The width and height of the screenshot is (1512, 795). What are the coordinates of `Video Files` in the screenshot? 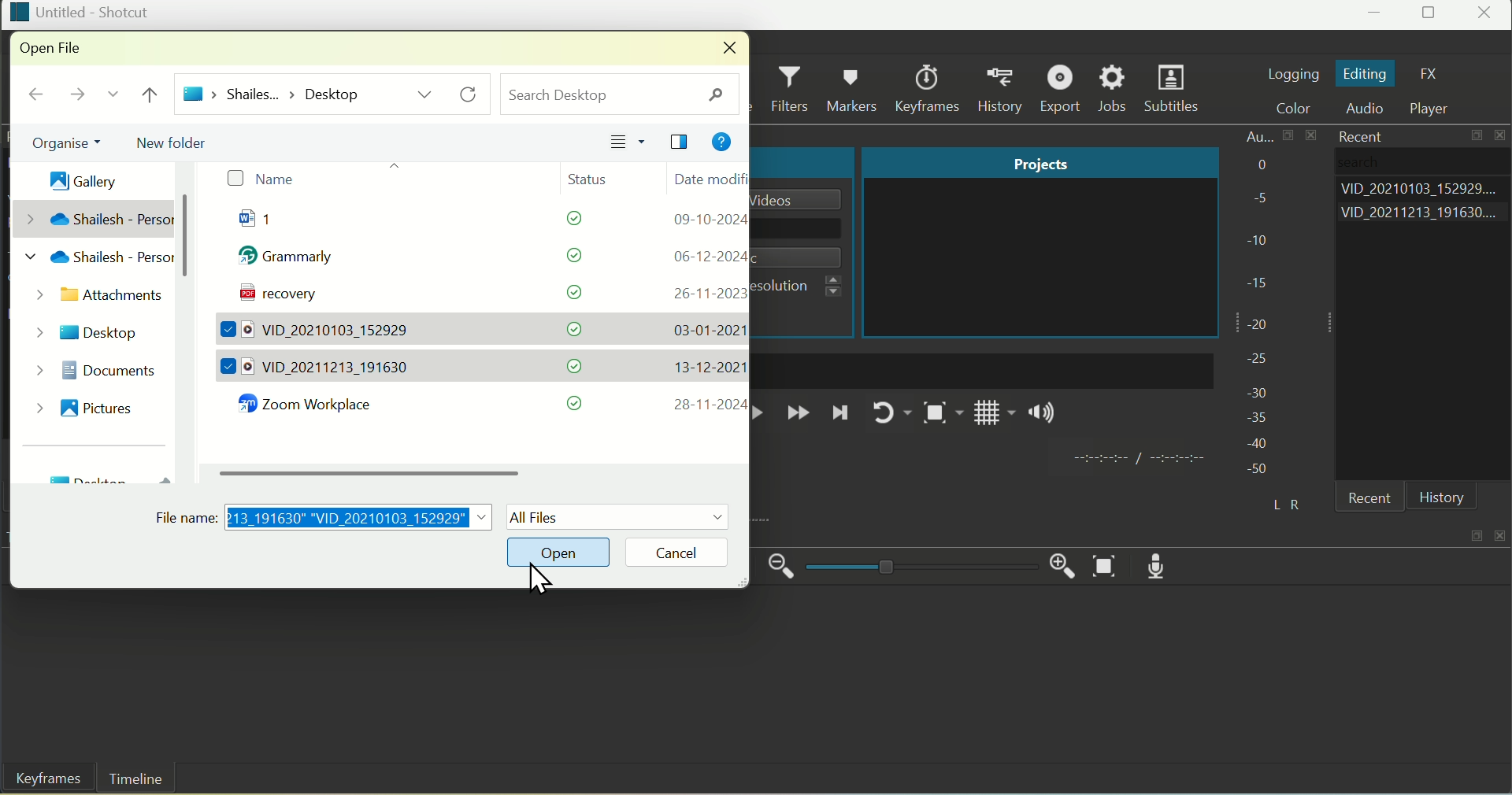 It's located at (320, 331).